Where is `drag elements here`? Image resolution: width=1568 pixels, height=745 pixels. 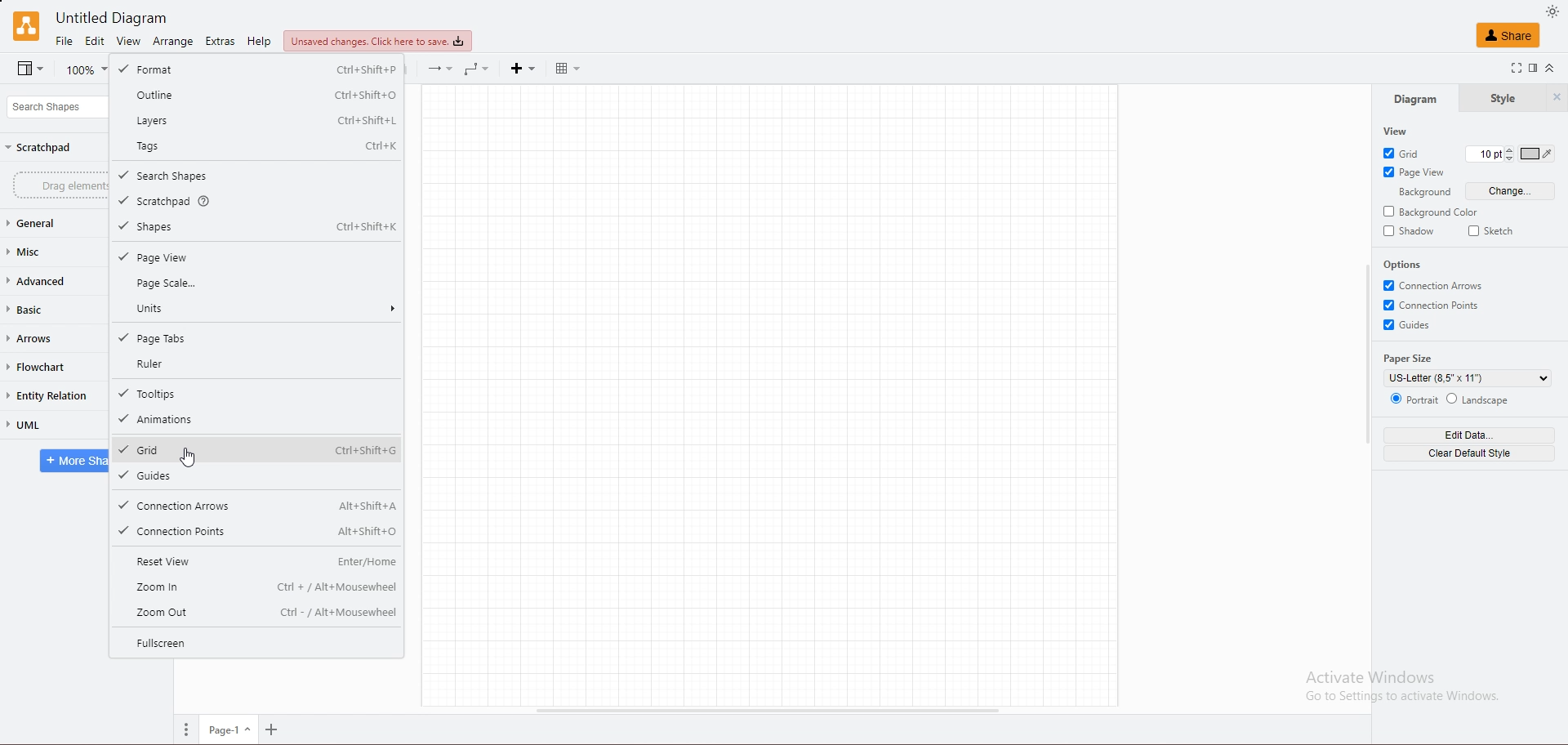
drag elements here is located at coordinates (61, 185).